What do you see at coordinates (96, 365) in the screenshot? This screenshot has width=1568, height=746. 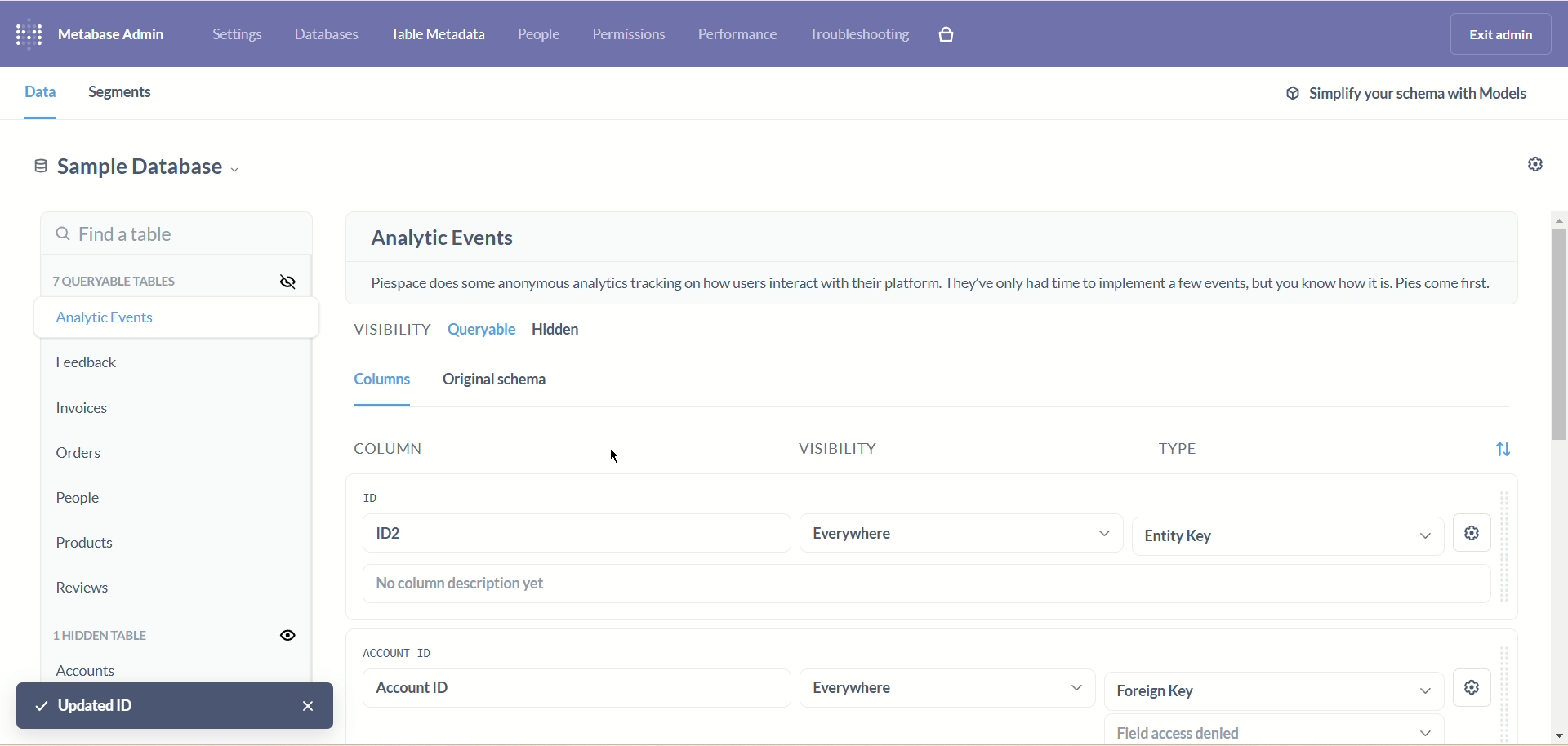 I see `Feedback` at bounding box center [96, 365].